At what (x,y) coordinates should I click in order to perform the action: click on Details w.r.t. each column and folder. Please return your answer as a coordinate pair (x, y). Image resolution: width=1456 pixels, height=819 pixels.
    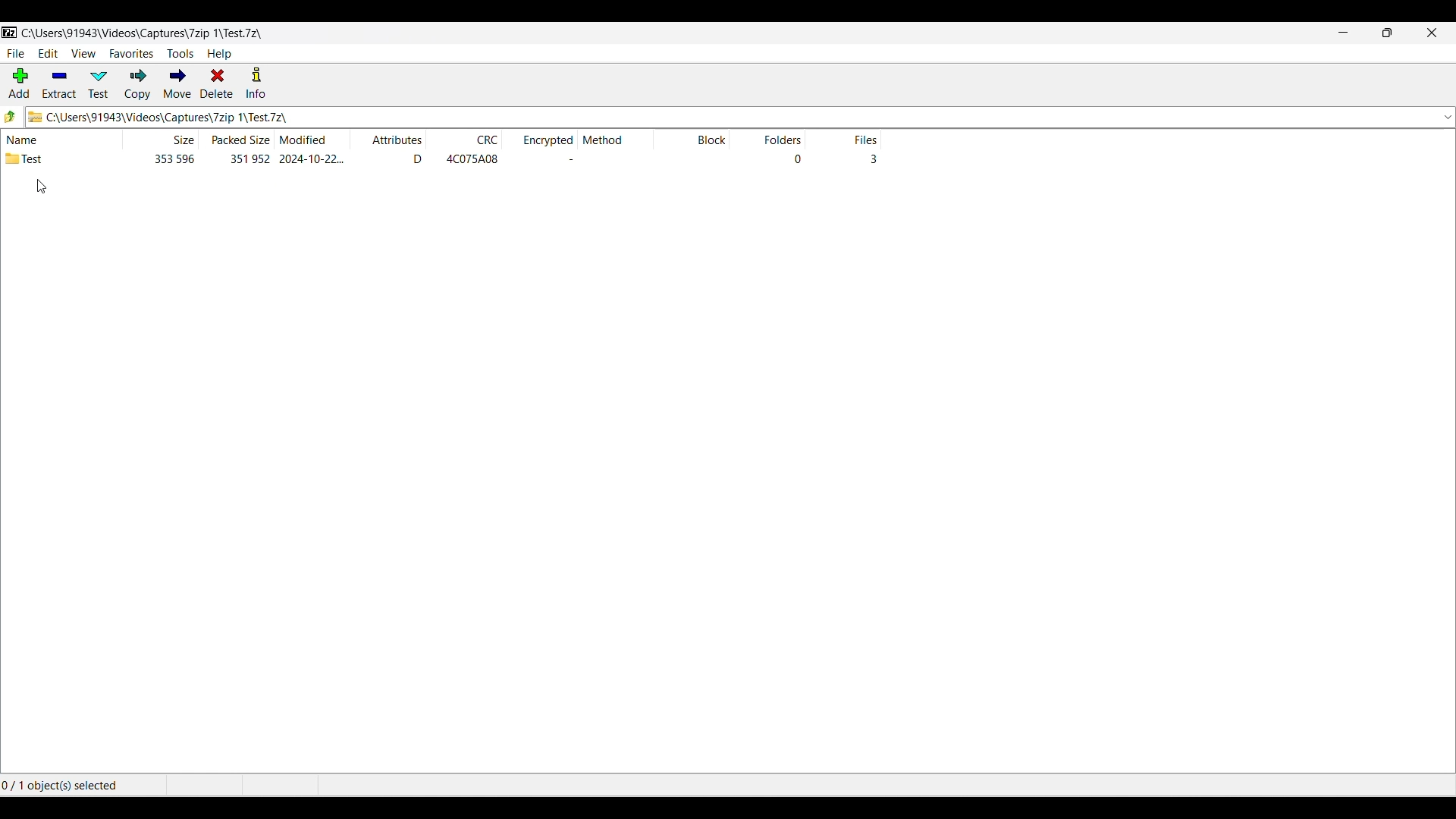
    Looking at the image, I should click on (518, 158).